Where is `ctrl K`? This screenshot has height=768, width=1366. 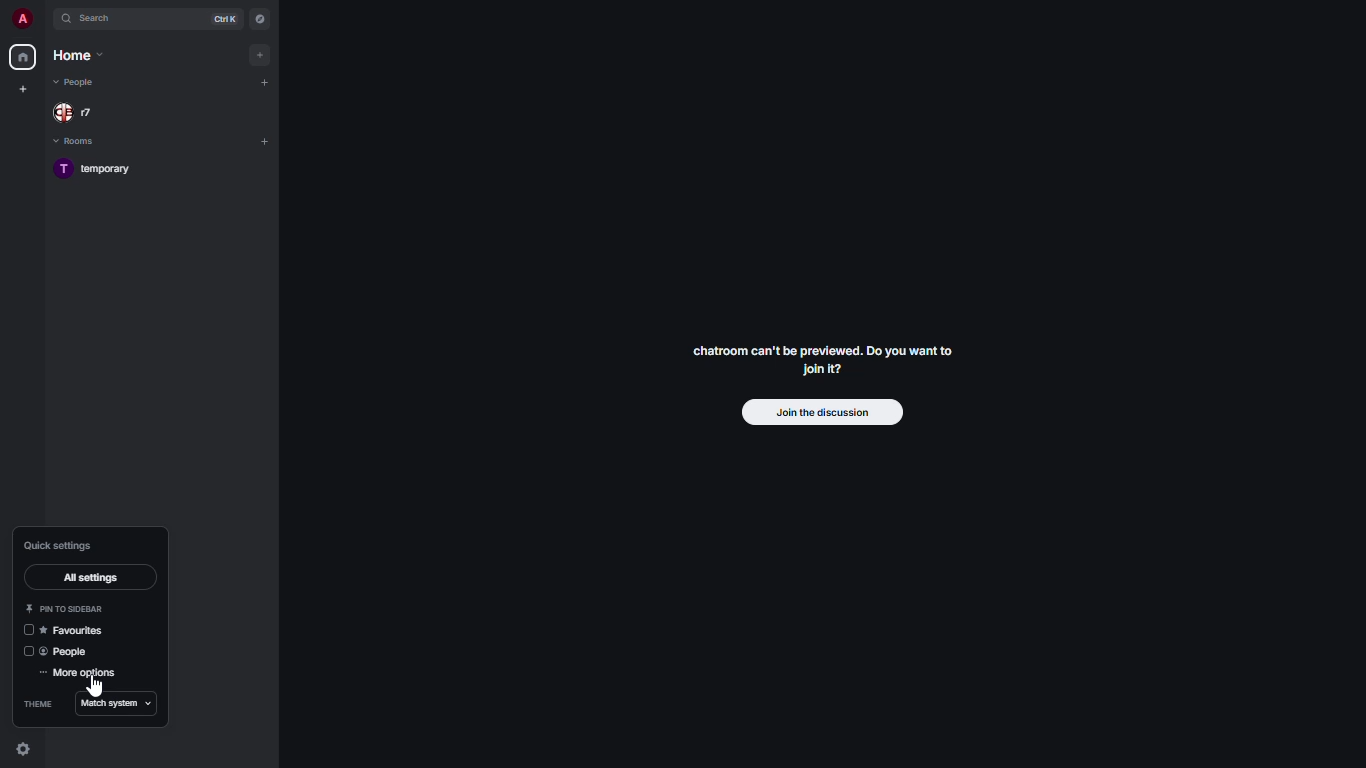 ctrl K is located at coordinates (227, 18).